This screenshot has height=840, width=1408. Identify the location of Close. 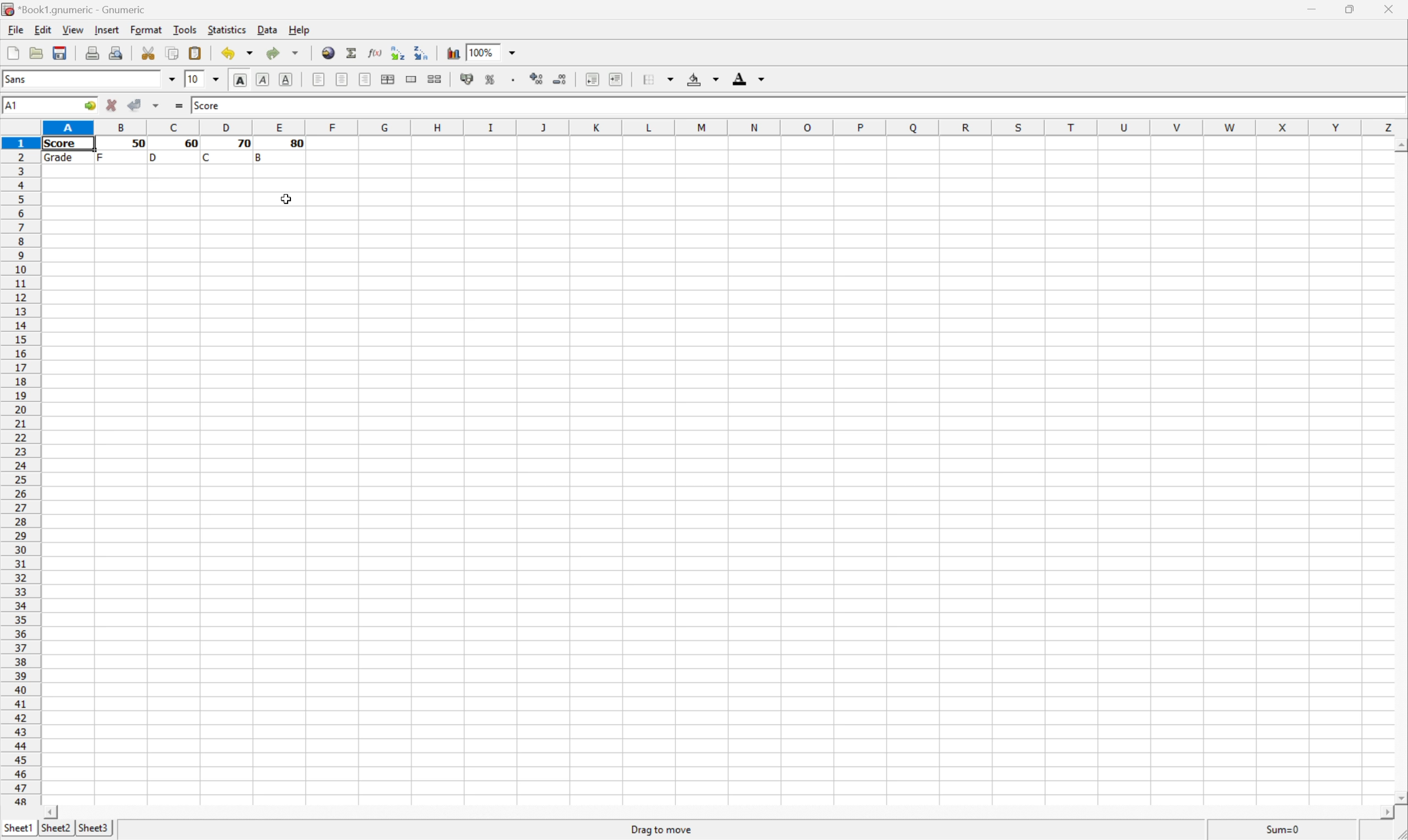
(1390, 10).